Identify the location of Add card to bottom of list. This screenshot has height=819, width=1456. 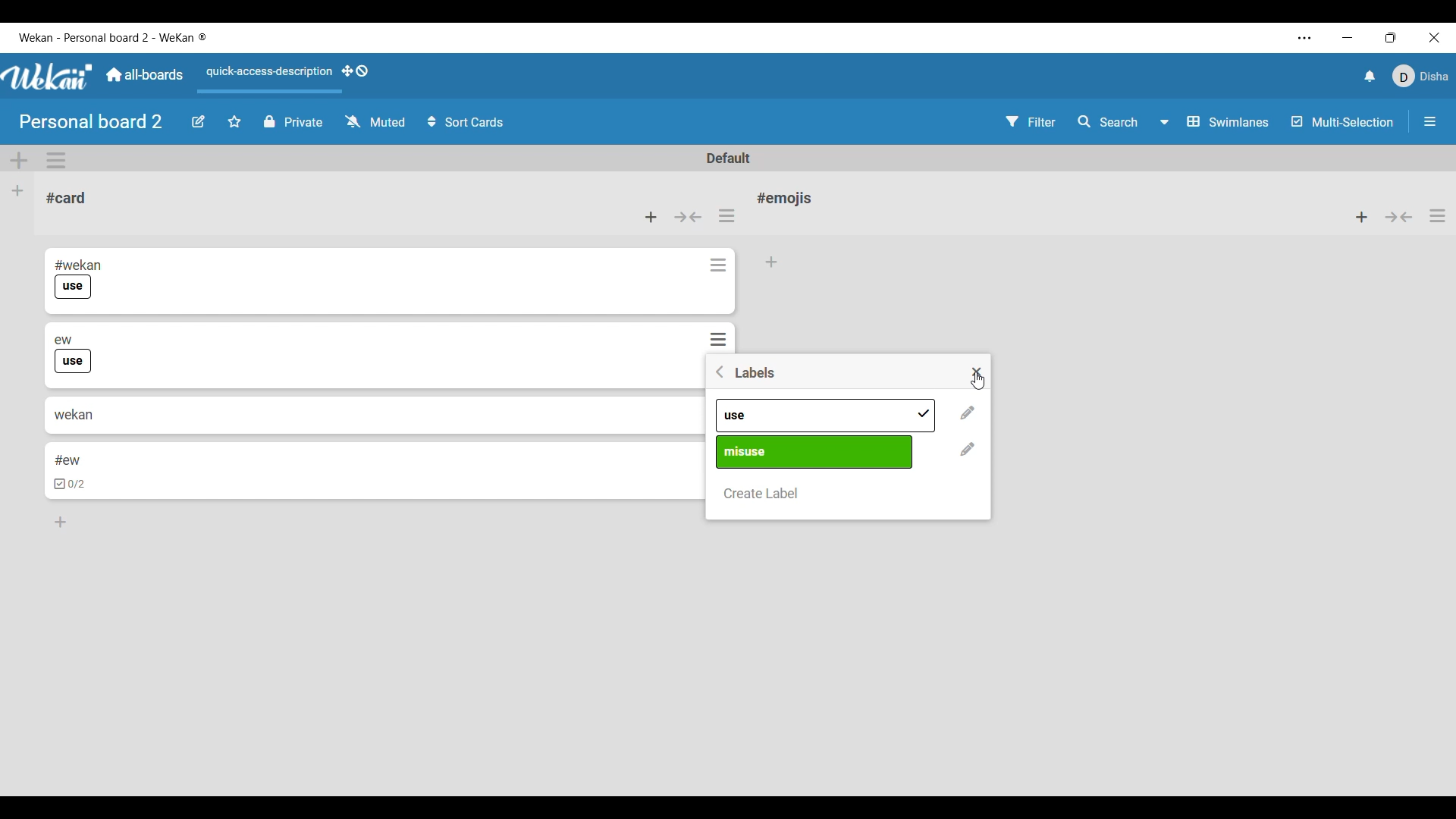
(62, 523).